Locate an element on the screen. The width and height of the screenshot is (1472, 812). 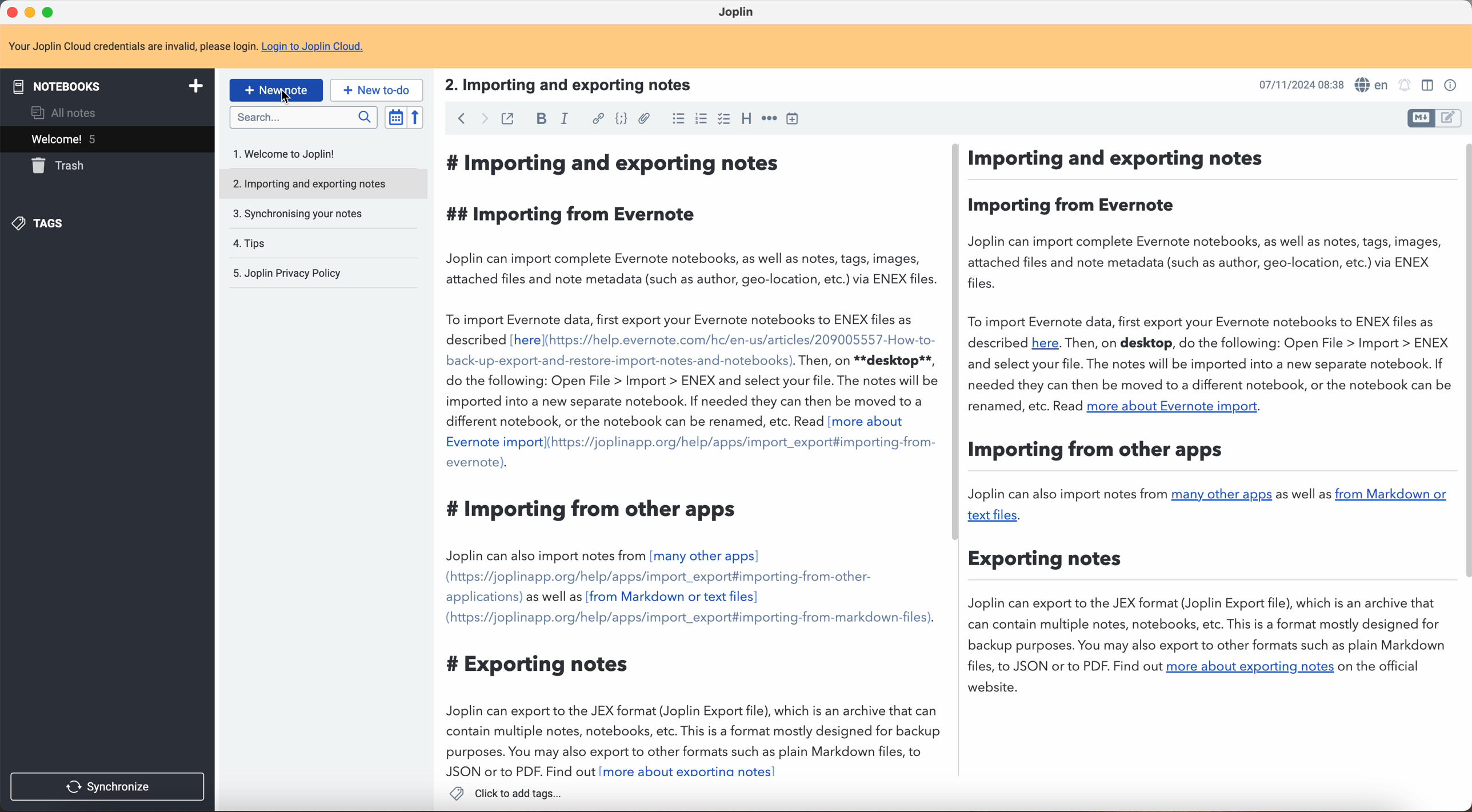
Joplin is located at coordinates (738, 11).